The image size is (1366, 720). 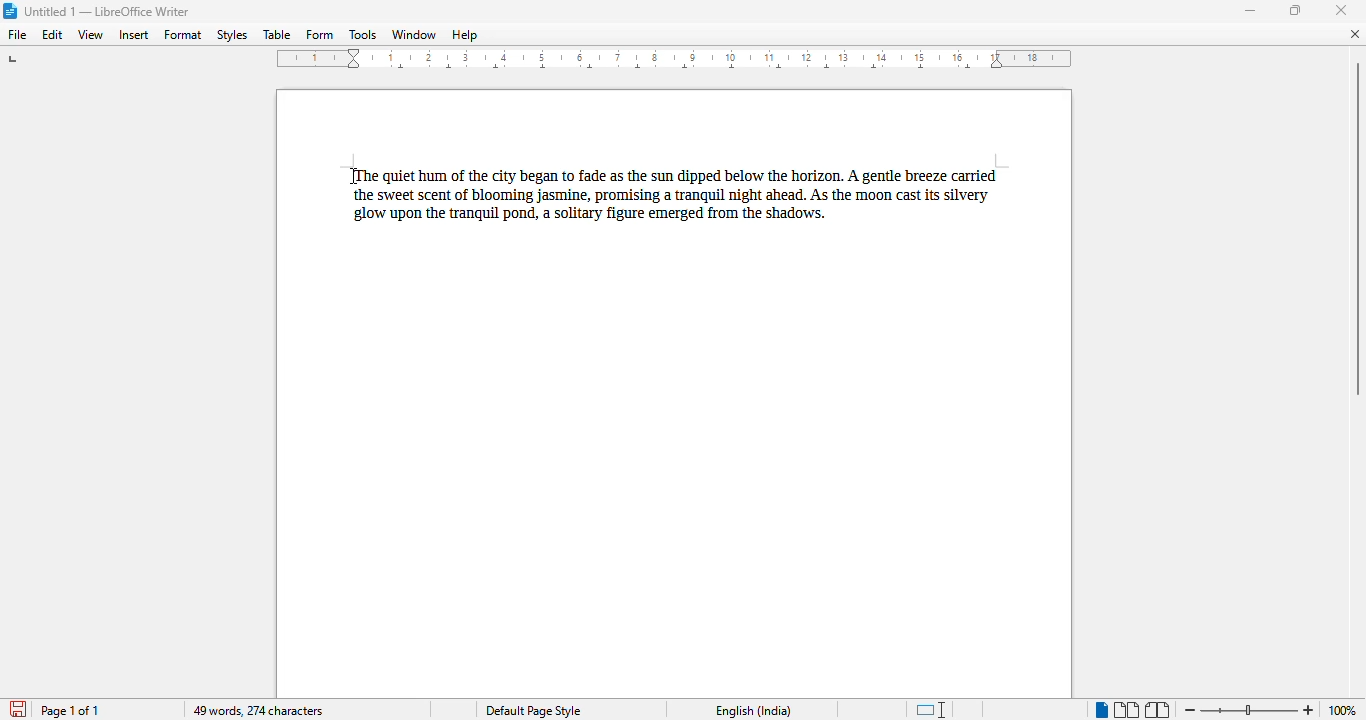 I want to click on cursor, so click(x=353, y=176).